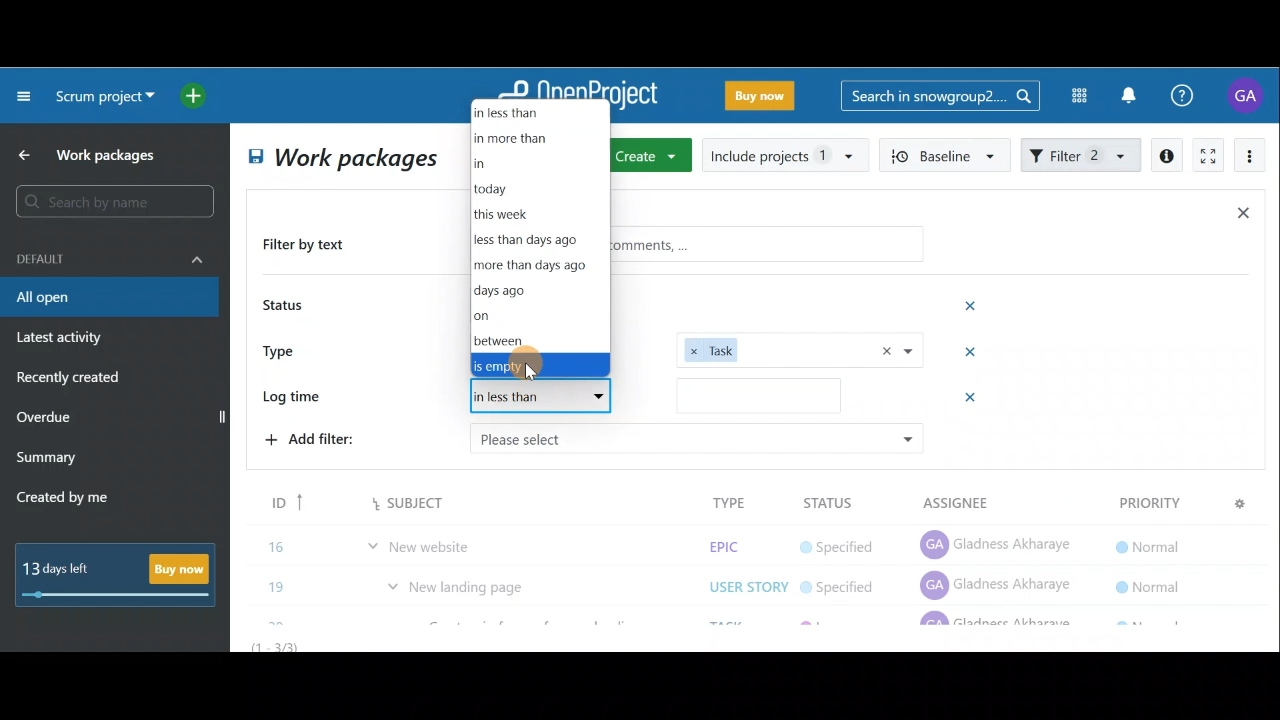  What do you see at coordinates (534, 586) in the screenshot?
I see `Create wireframes for new landing page` at bounding box center [534, 586].